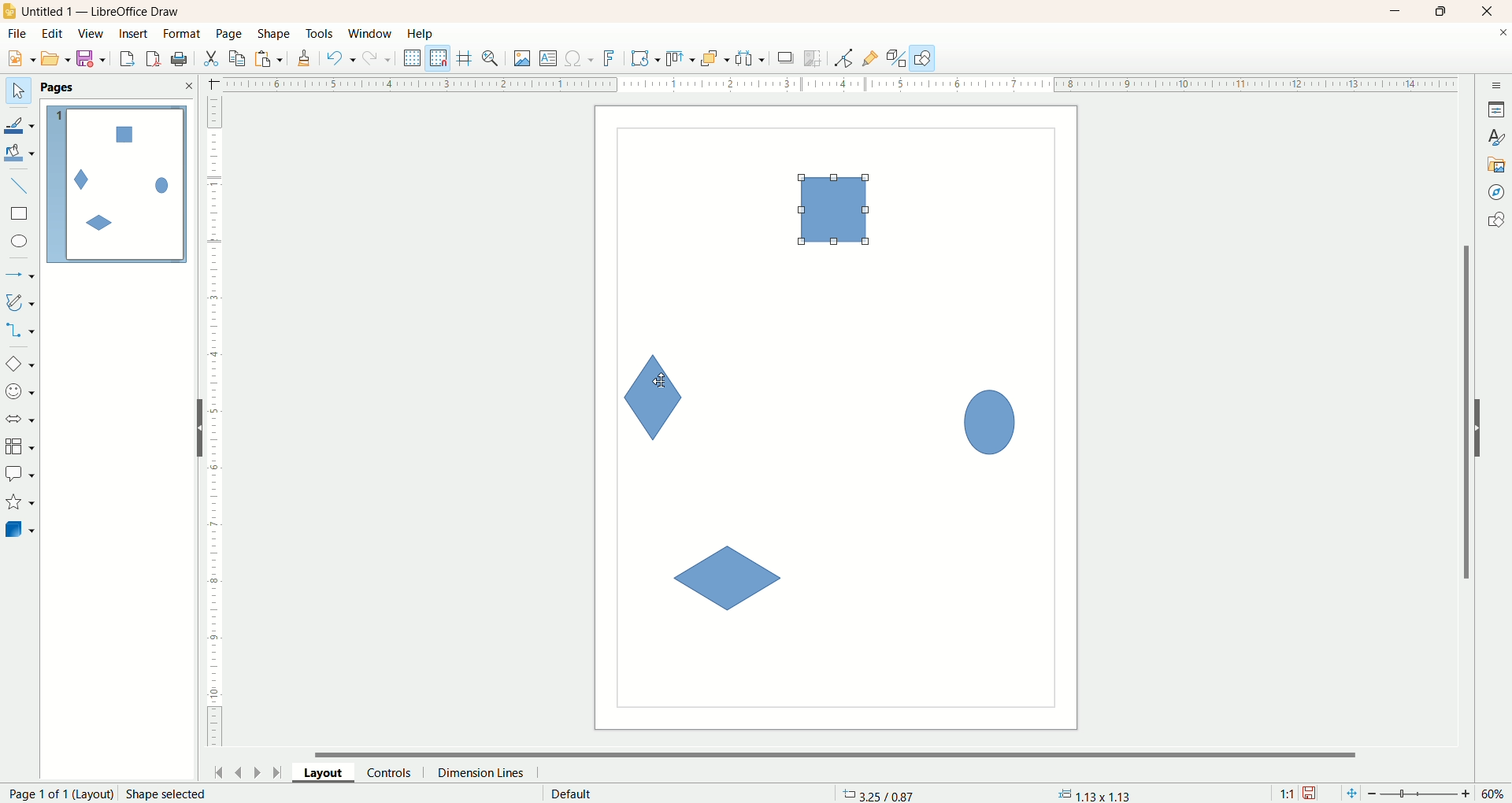 This screenshot has width=1512, height=803. I want to click on rectangle, so click(21, 214).